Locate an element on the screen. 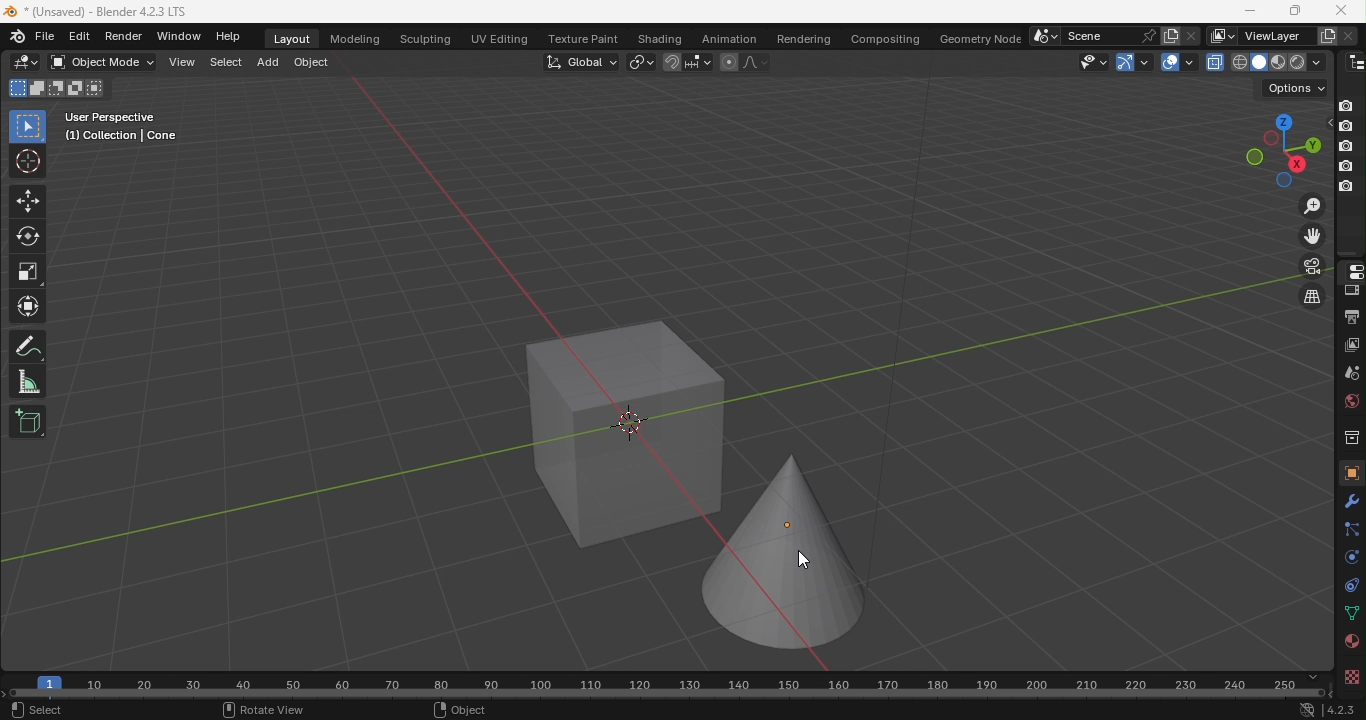 The image size is (1366, 720). Help is located at coordinates (231, 36).